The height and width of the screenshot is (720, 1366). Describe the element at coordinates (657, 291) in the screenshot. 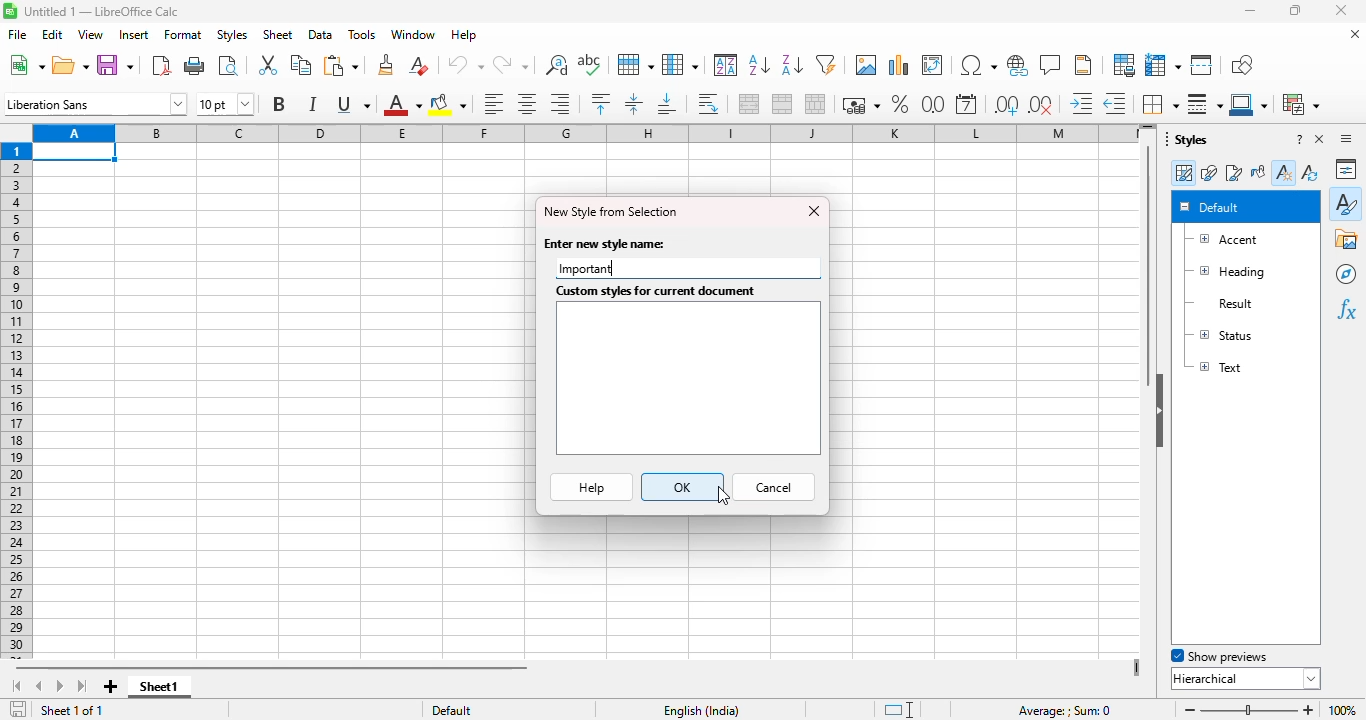

I see `custom styles for current document` at that location.